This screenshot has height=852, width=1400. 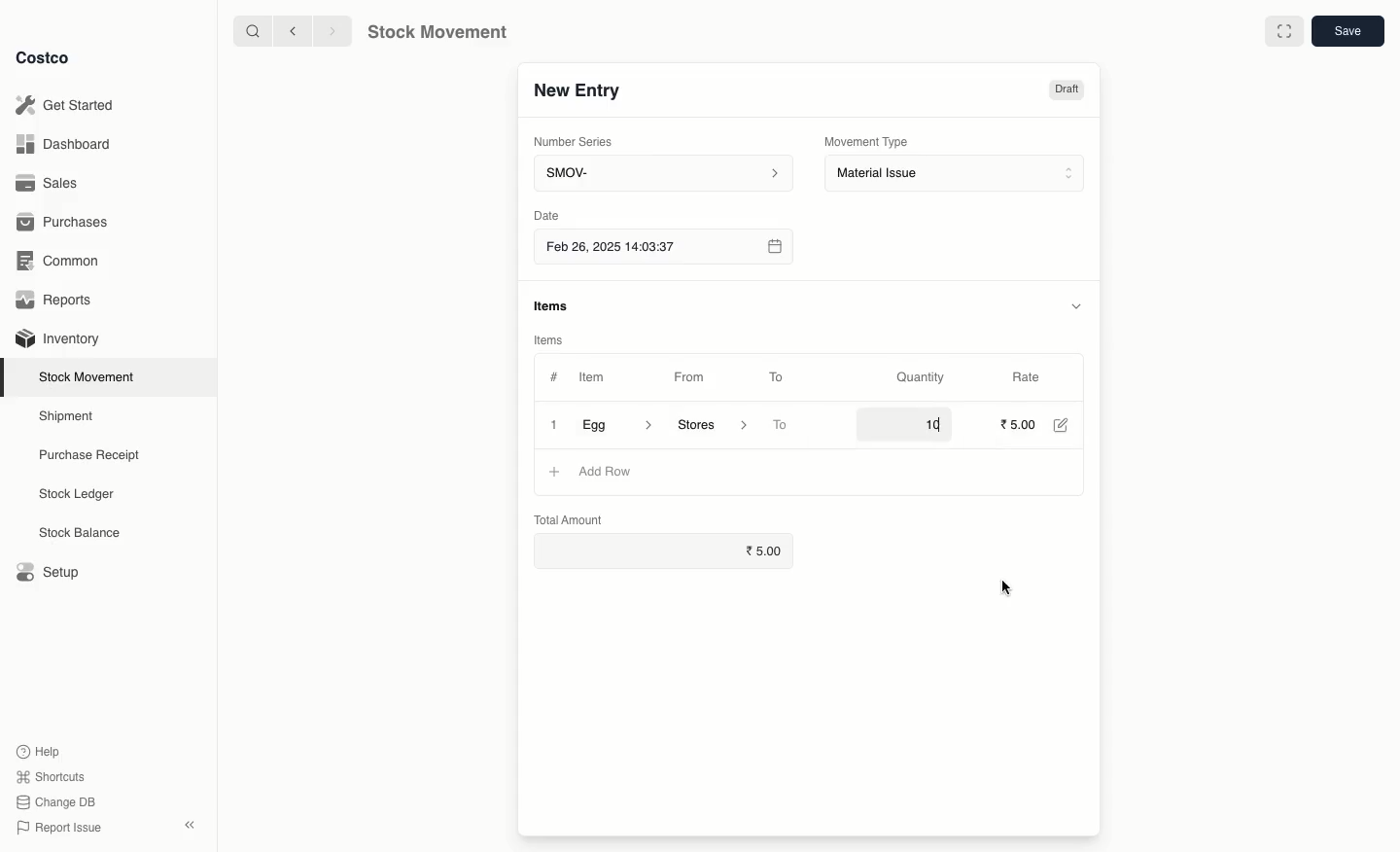 What do you see at coordinates (1027, 374) in the screenshot?
I see `Rate` at bounding box center [1027, 374].